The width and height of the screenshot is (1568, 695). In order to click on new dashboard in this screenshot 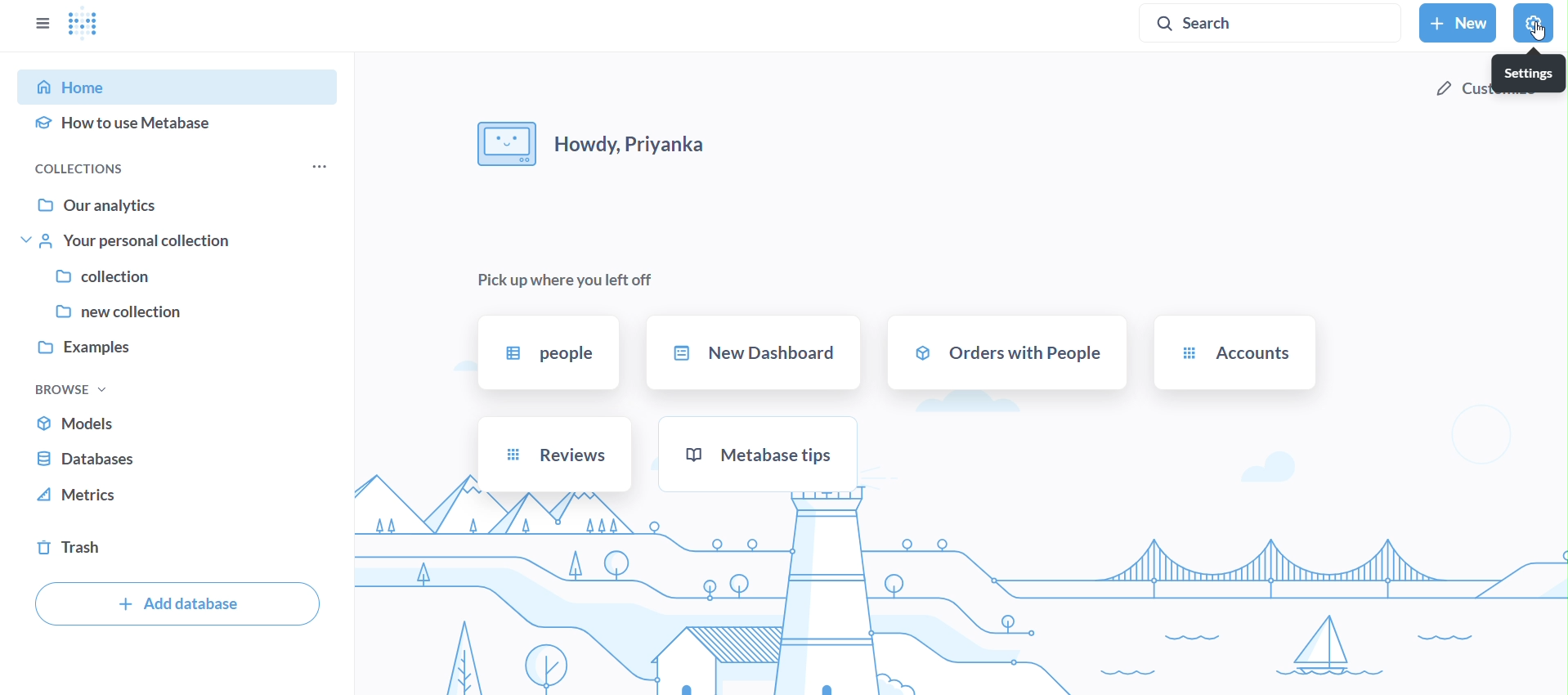, I will do `click(755, 354)`.